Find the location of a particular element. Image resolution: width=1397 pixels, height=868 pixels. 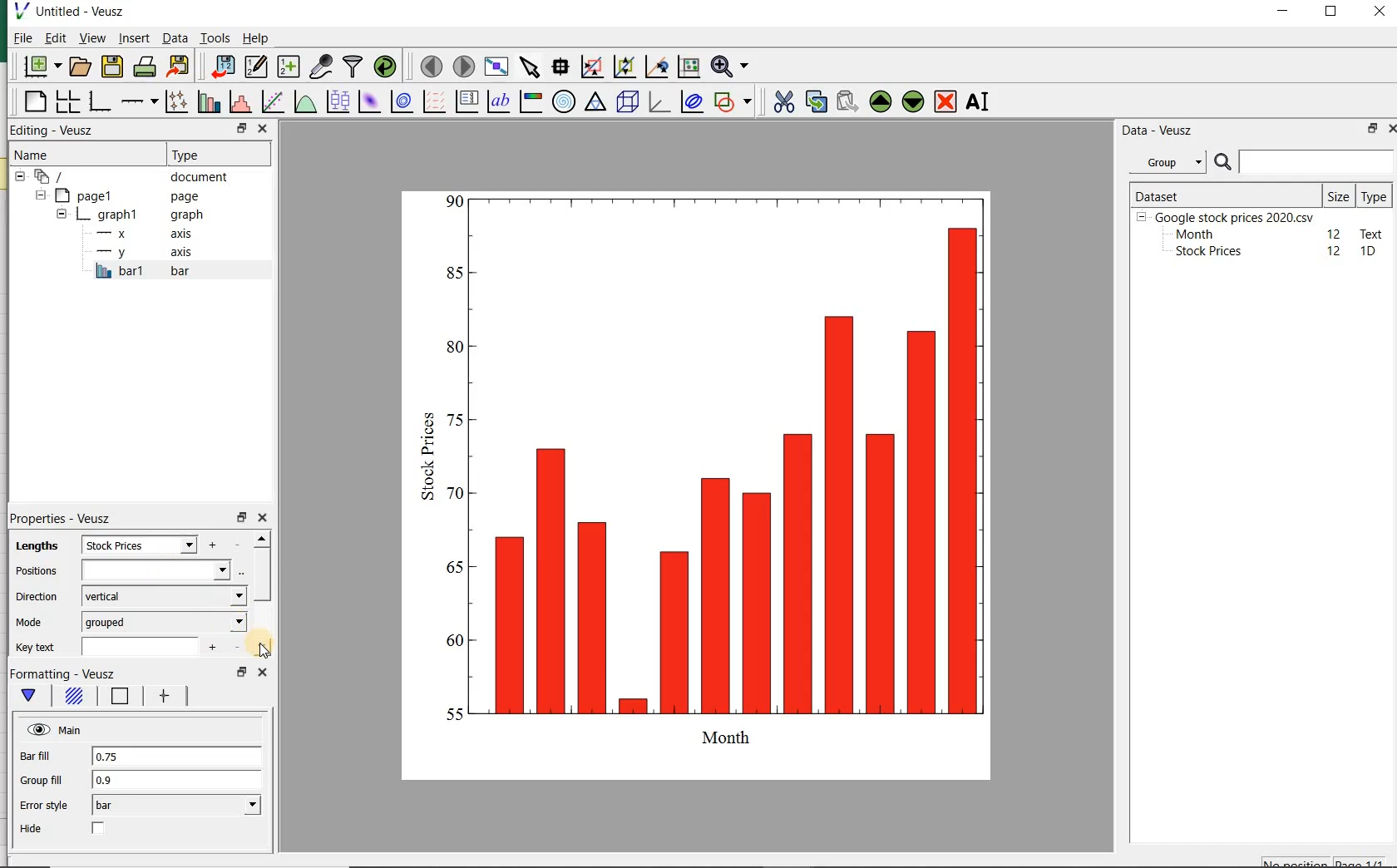

minimize is located at coordinates (1284, 12).